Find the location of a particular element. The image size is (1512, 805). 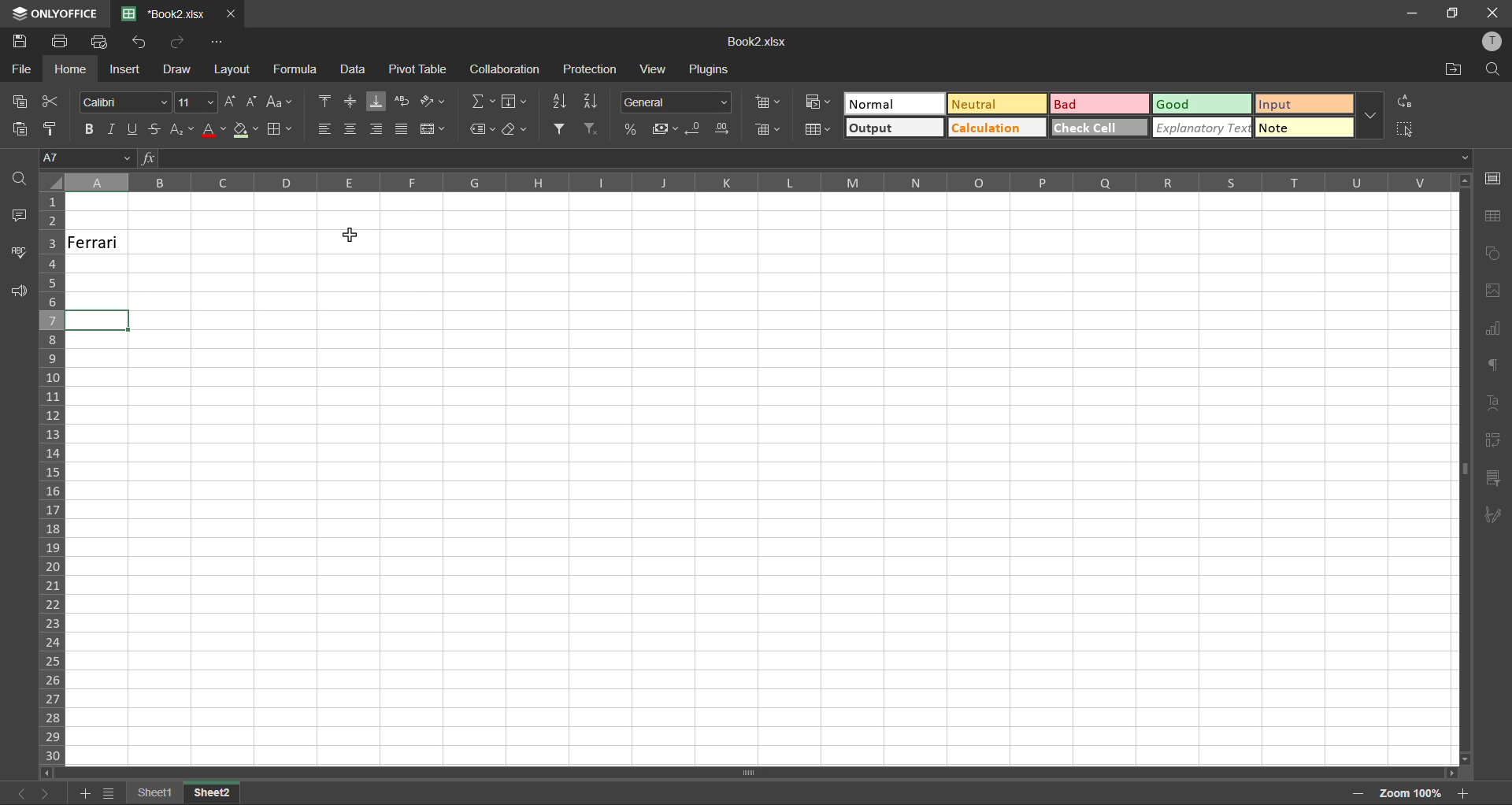

align center is located at coordinates (351, 128).